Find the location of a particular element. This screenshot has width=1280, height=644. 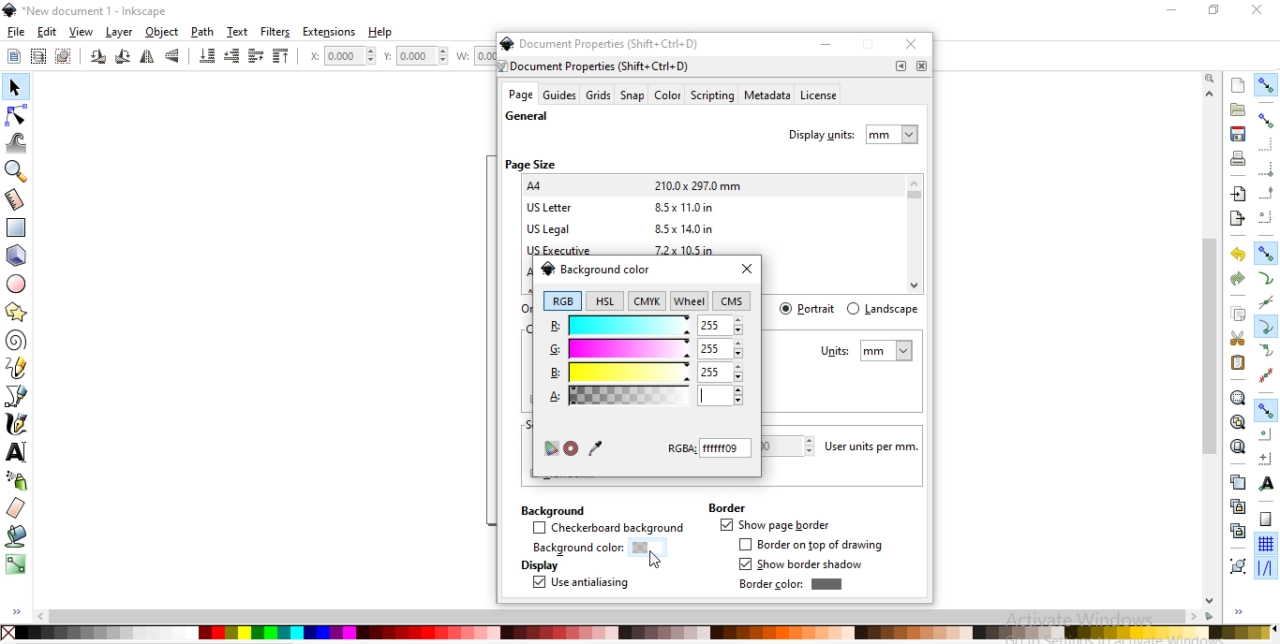

units is located at coordinates (867, 351).